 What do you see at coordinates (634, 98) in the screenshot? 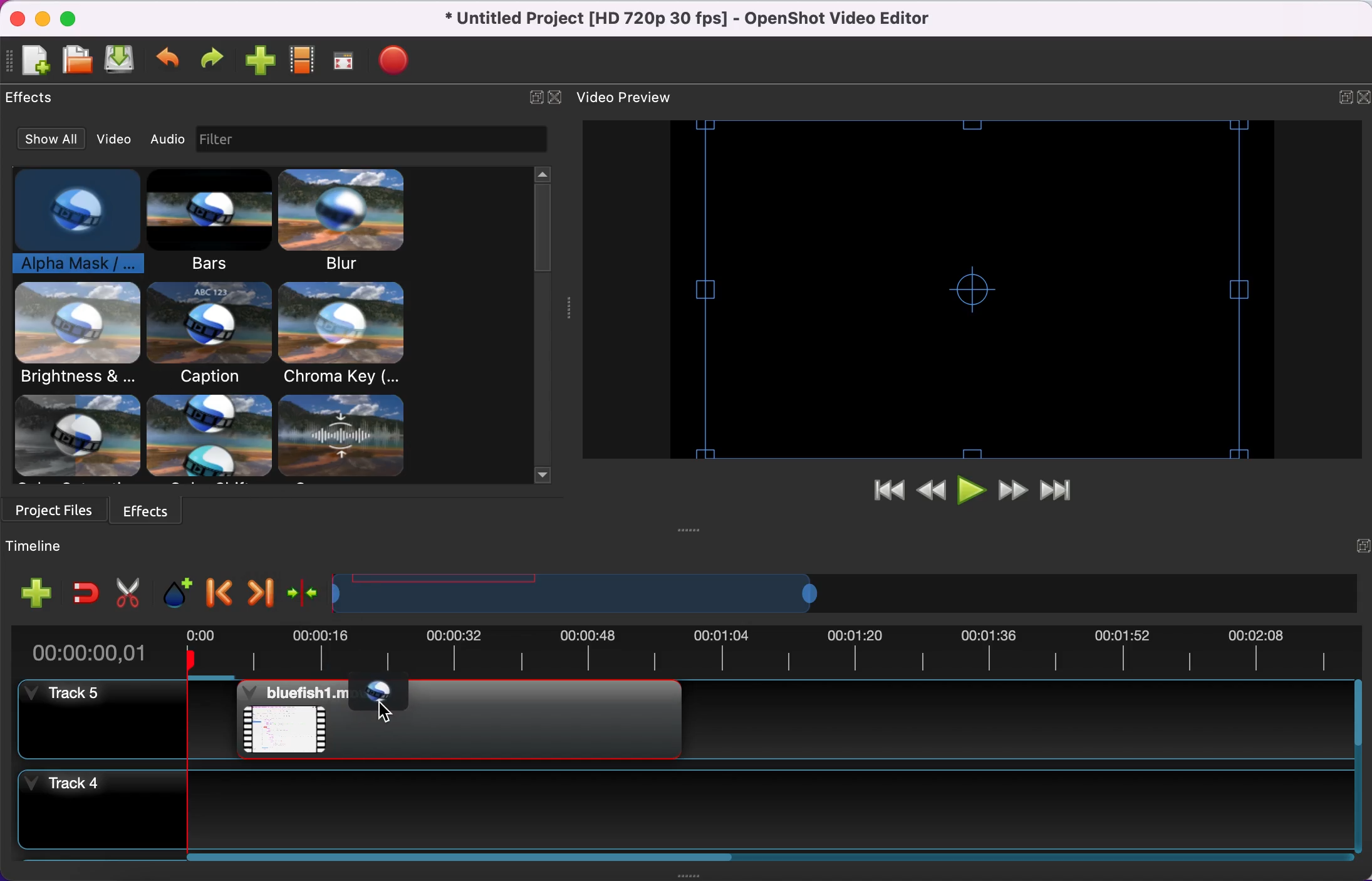
I see `video preview` at bounding box center [634, 98].